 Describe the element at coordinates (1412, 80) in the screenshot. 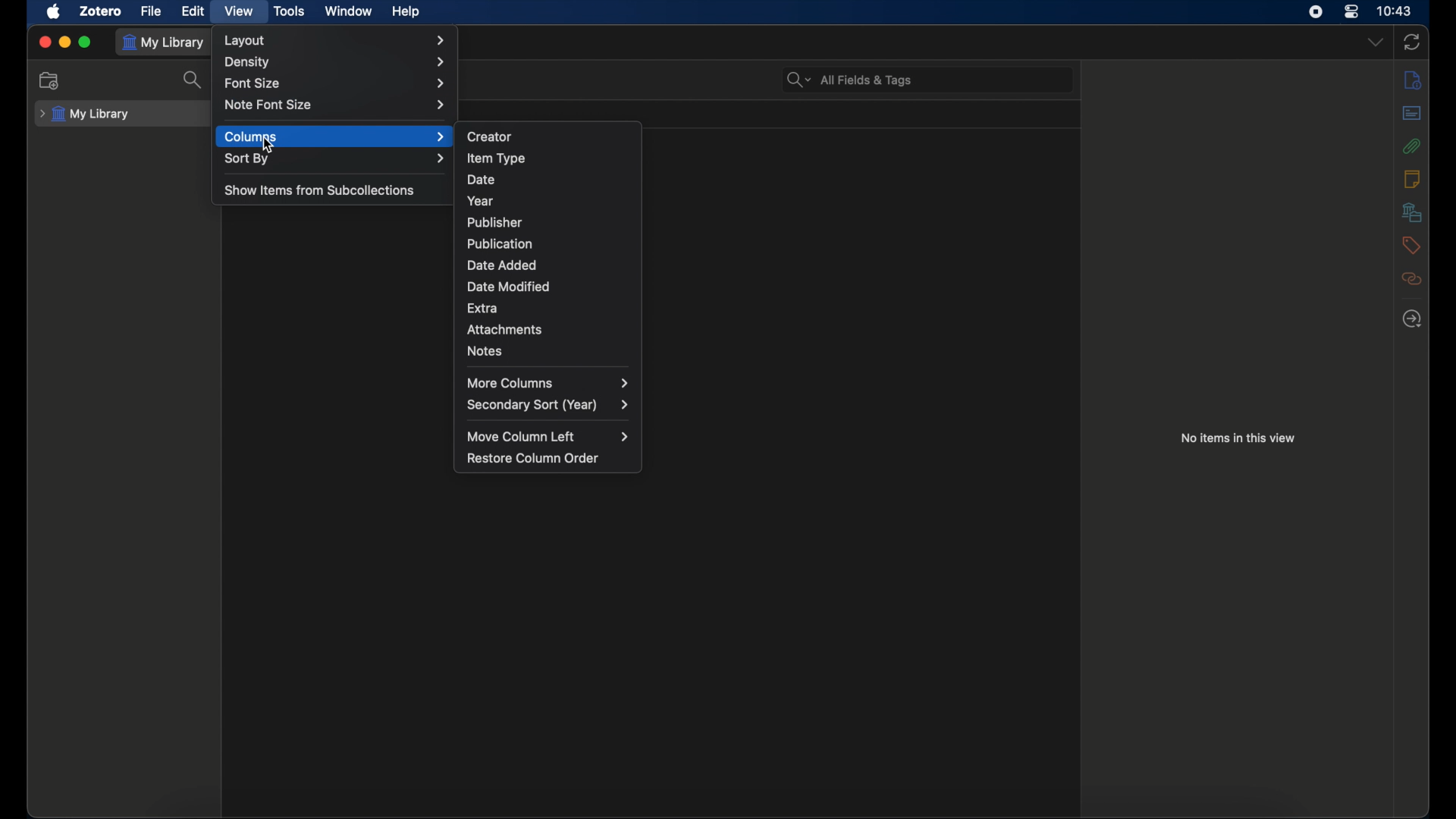

I see `info` at that location.